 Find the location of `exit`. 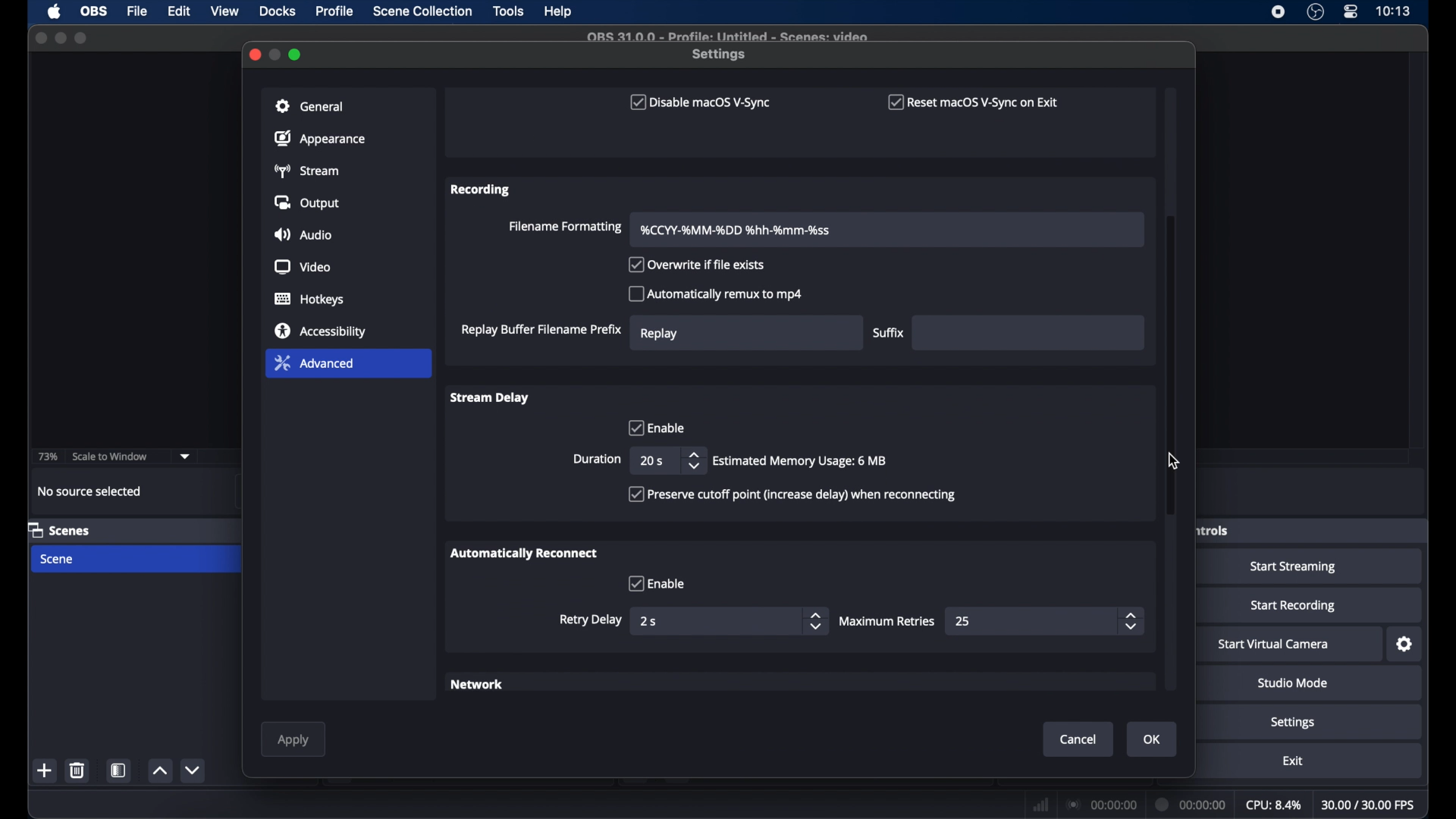

exit is located at coordinates (1294, 761).